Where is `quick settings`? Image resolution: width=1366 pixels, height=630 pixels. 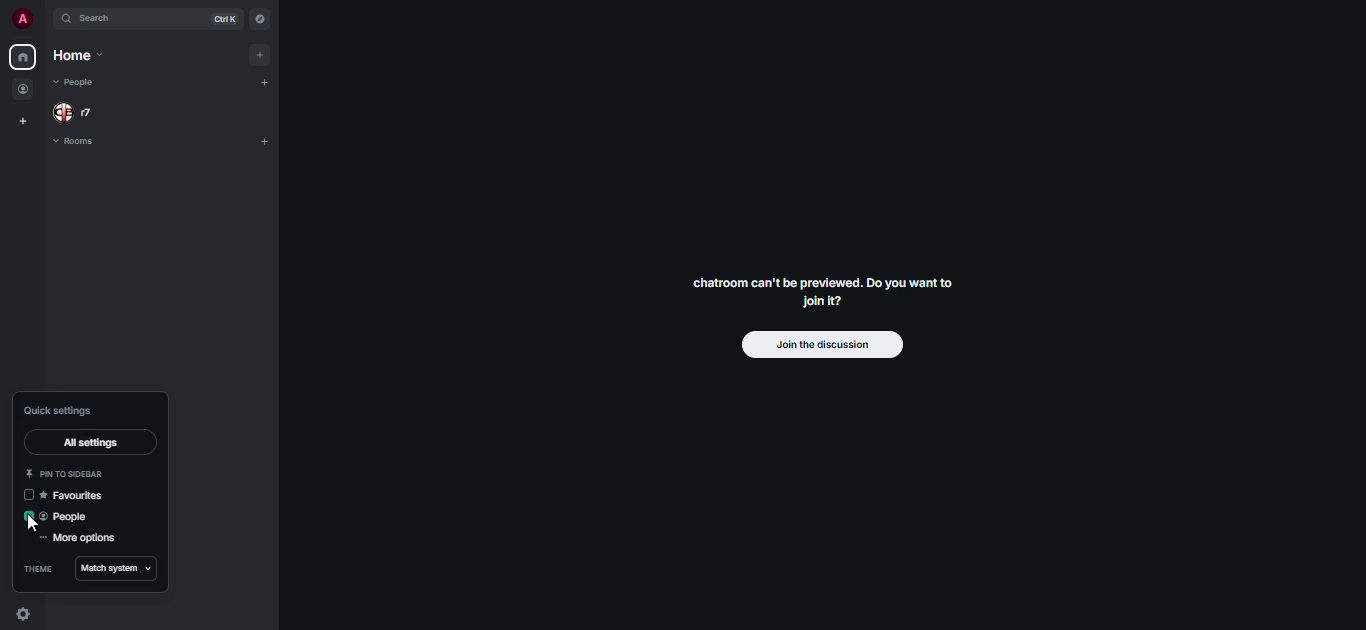 quick settings is located at coordinates (20, 614).